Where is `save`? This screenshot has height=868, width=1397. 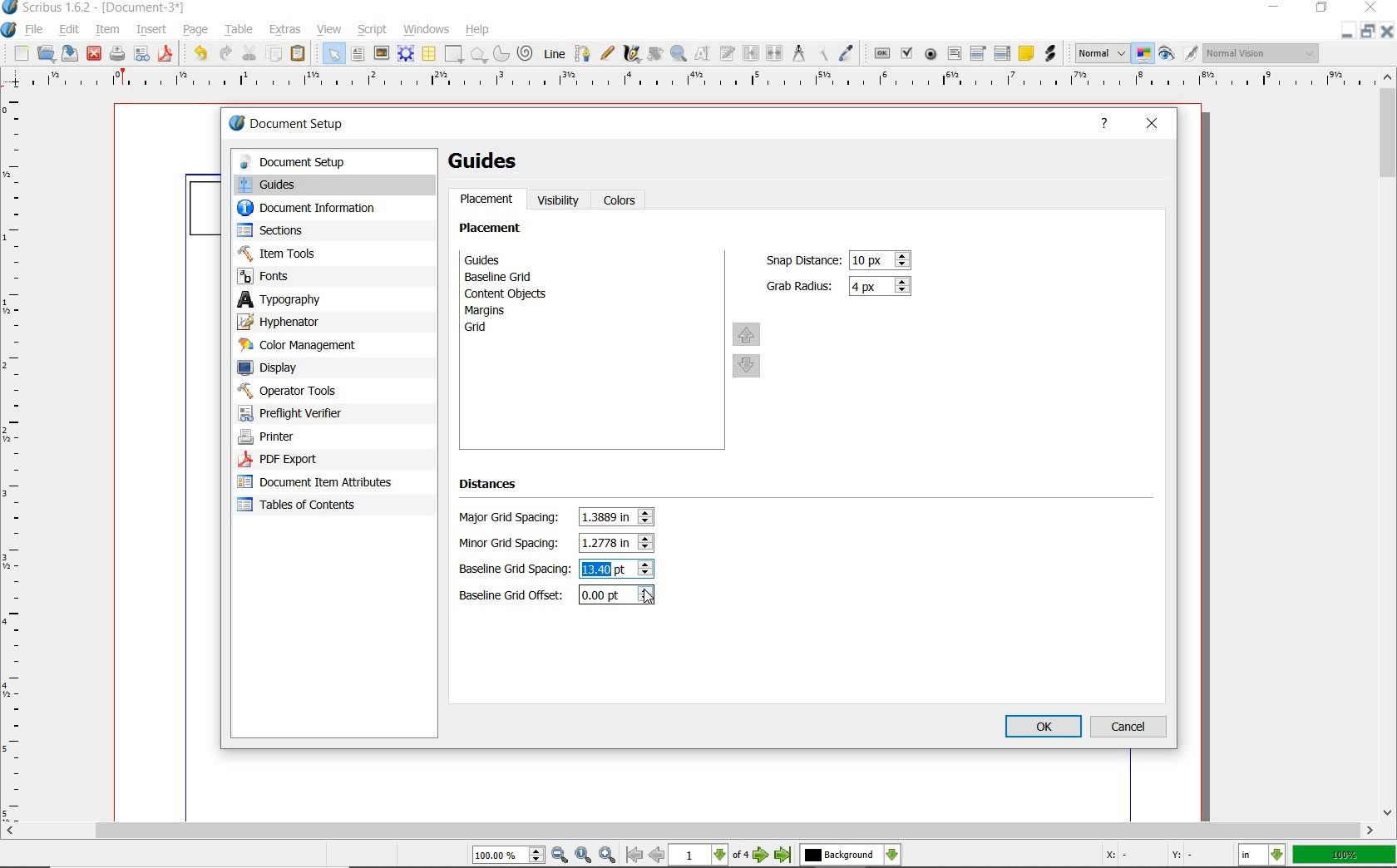
save is located at coordinates (68, 52).